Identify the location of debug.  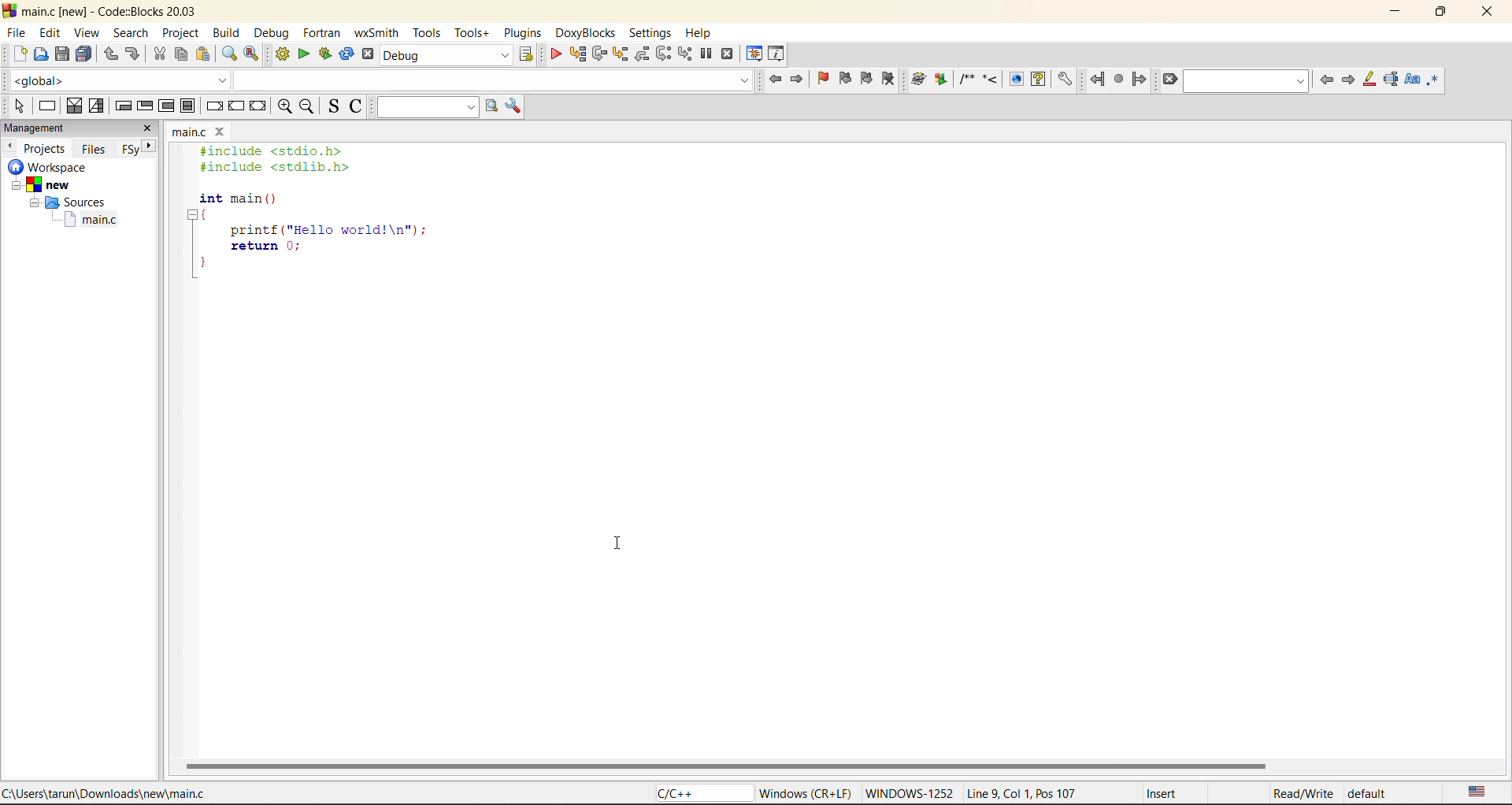
(554, 54).